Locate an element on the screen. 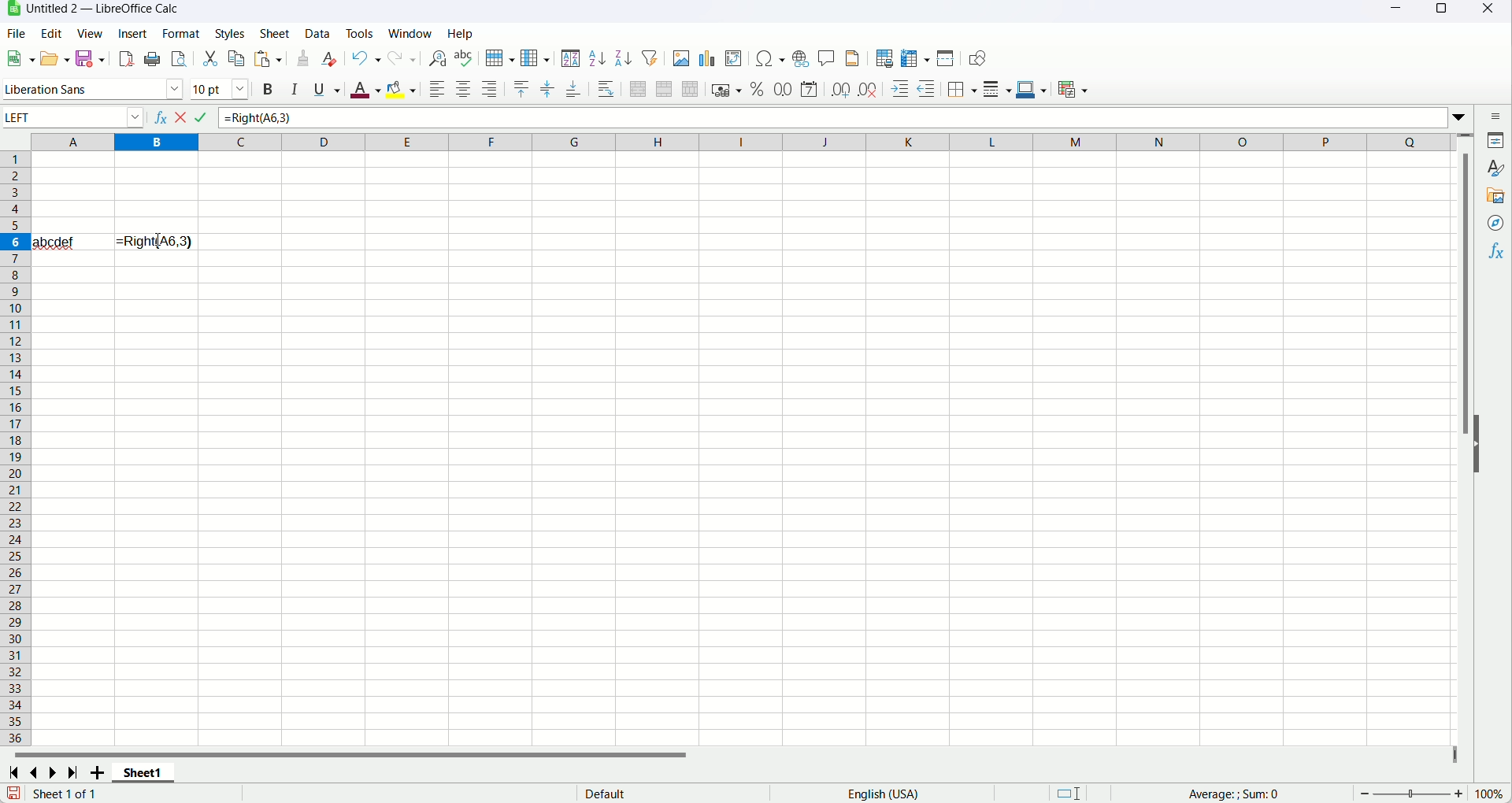 This screenshot has height=803, width=1512. =Right(A6,3) is located at coordinates (844, 117).